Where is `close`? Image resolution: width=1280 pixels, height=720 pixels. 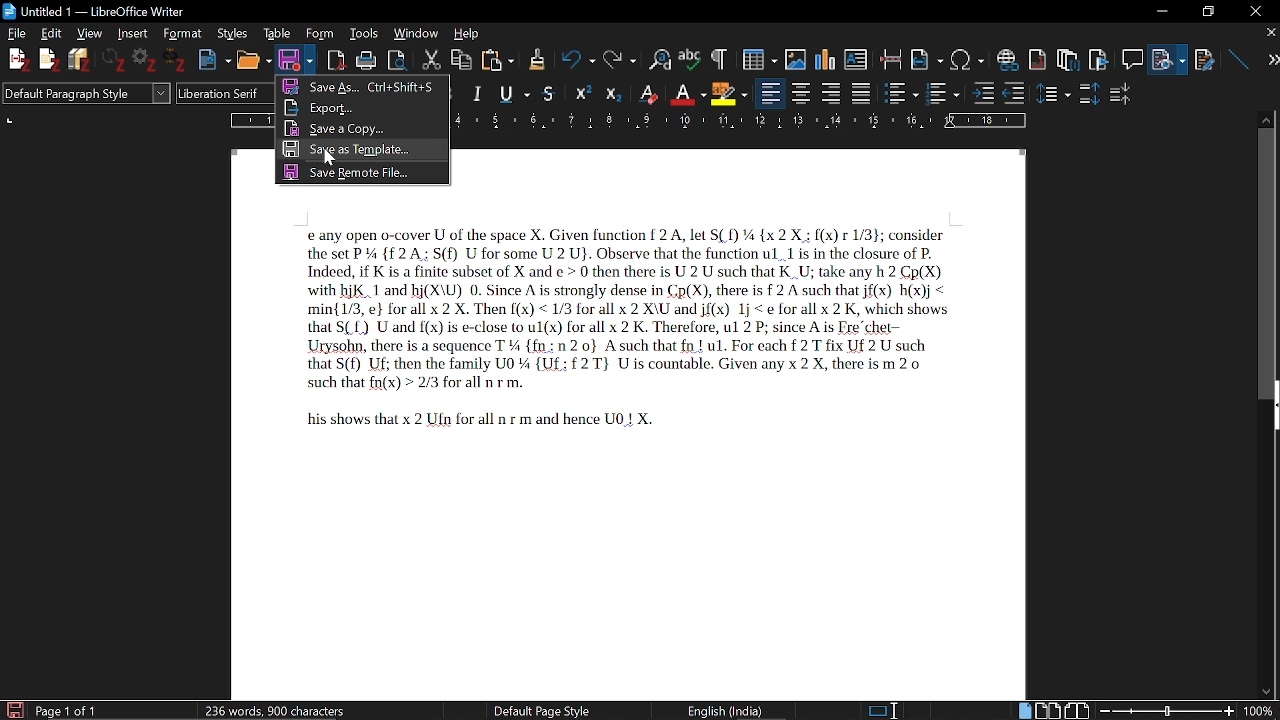
close is located at coordinates (1256, 10).